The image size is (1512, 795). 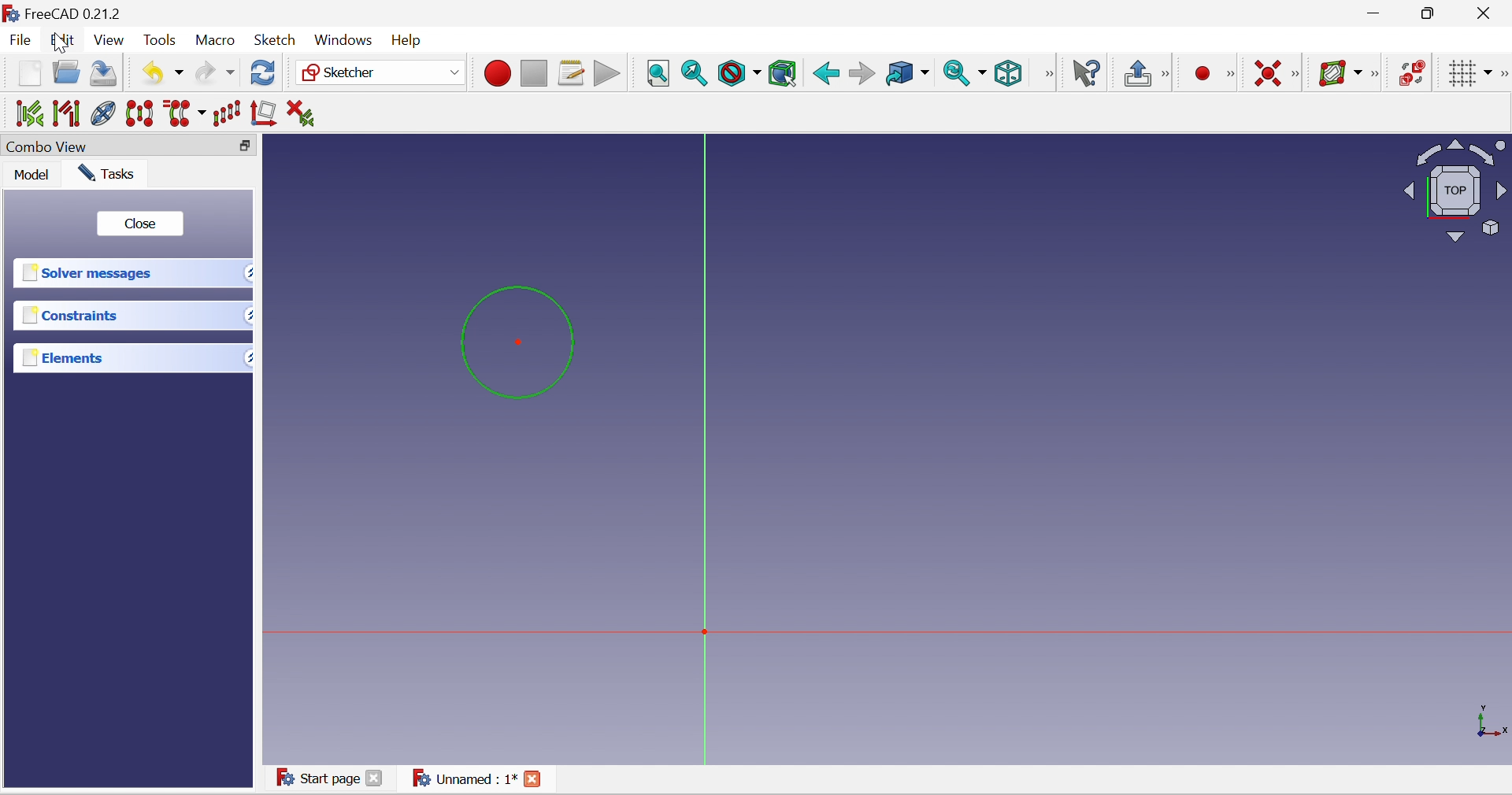 I want to click on Rectangular array, so click(x=225, y=113).